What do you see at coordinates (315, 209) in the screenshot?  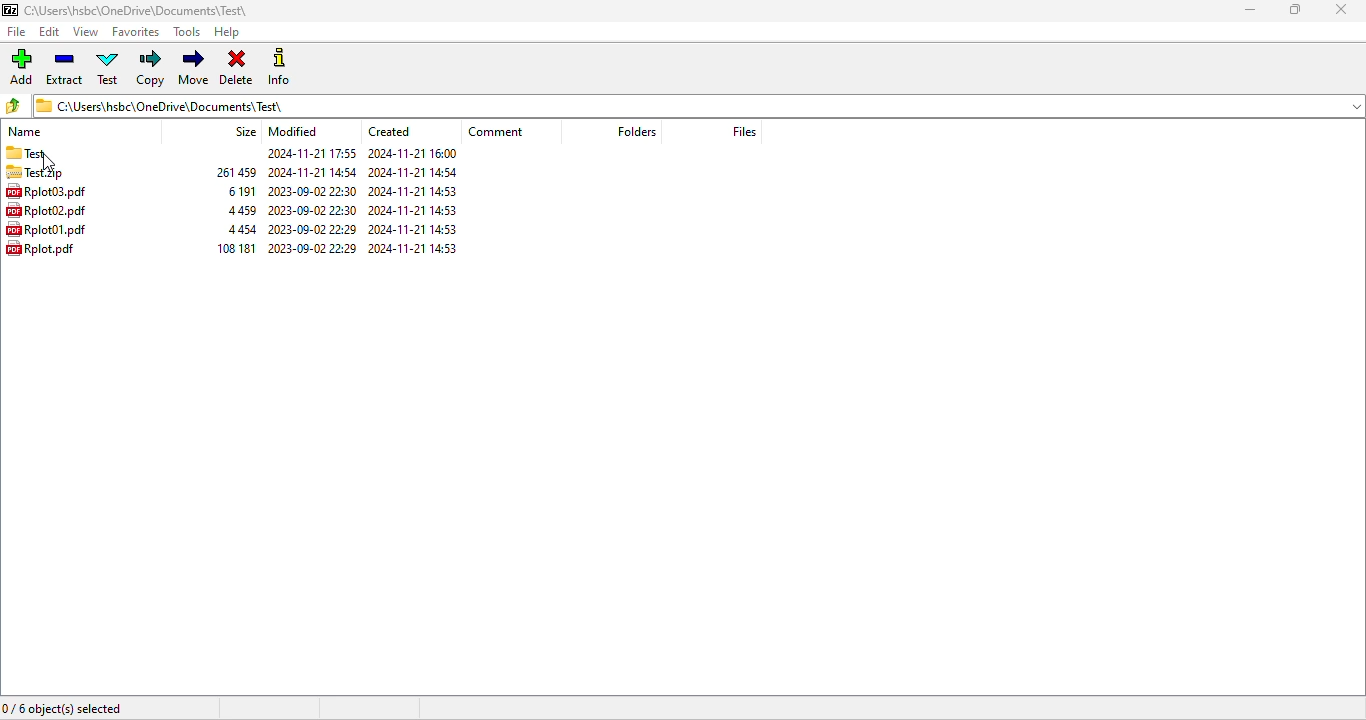 I see `2023-09-02 22:30` at bounding box center [315, 209].